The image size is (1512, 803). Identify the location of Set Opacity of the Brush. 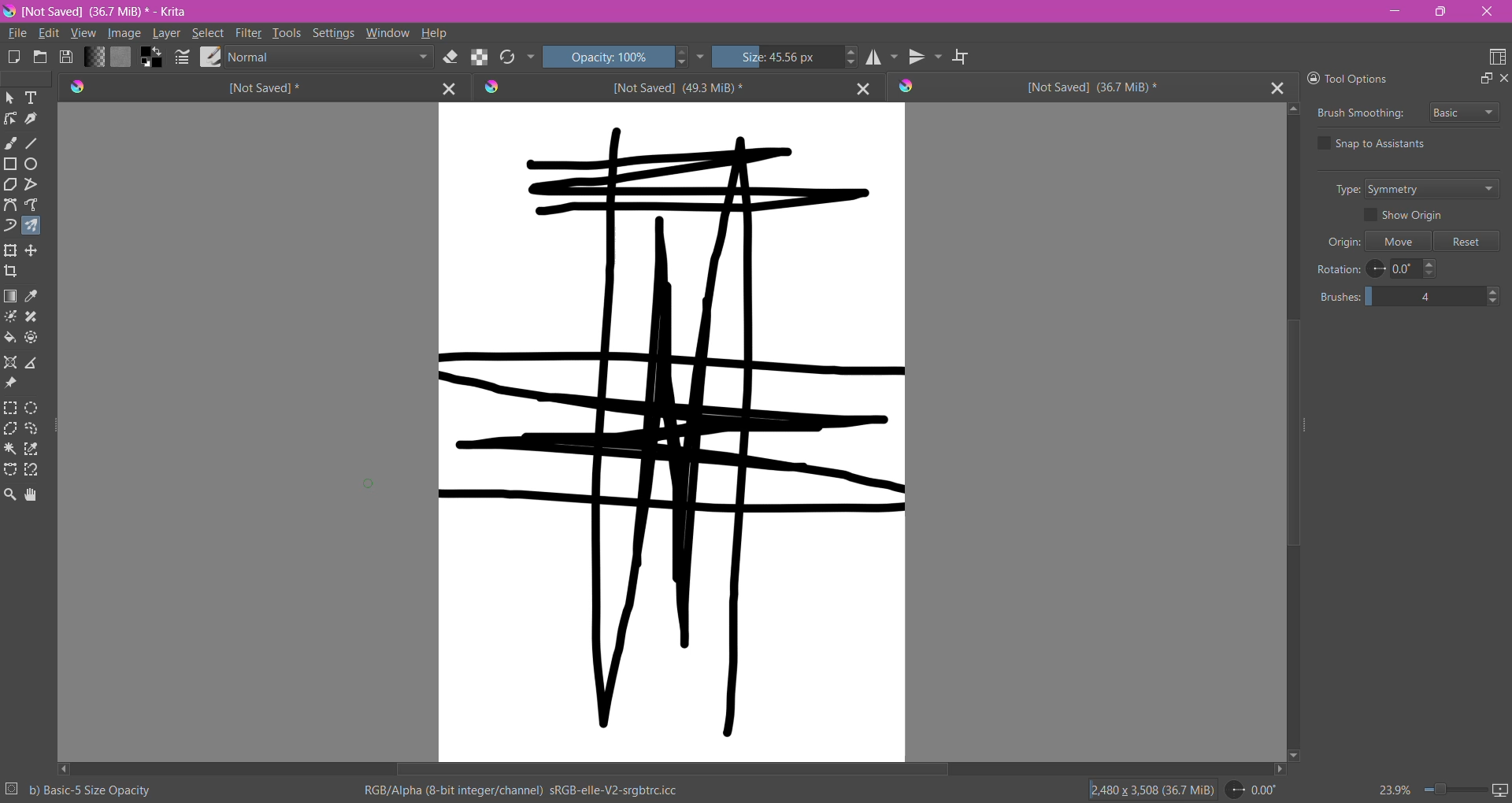
(606, 58).